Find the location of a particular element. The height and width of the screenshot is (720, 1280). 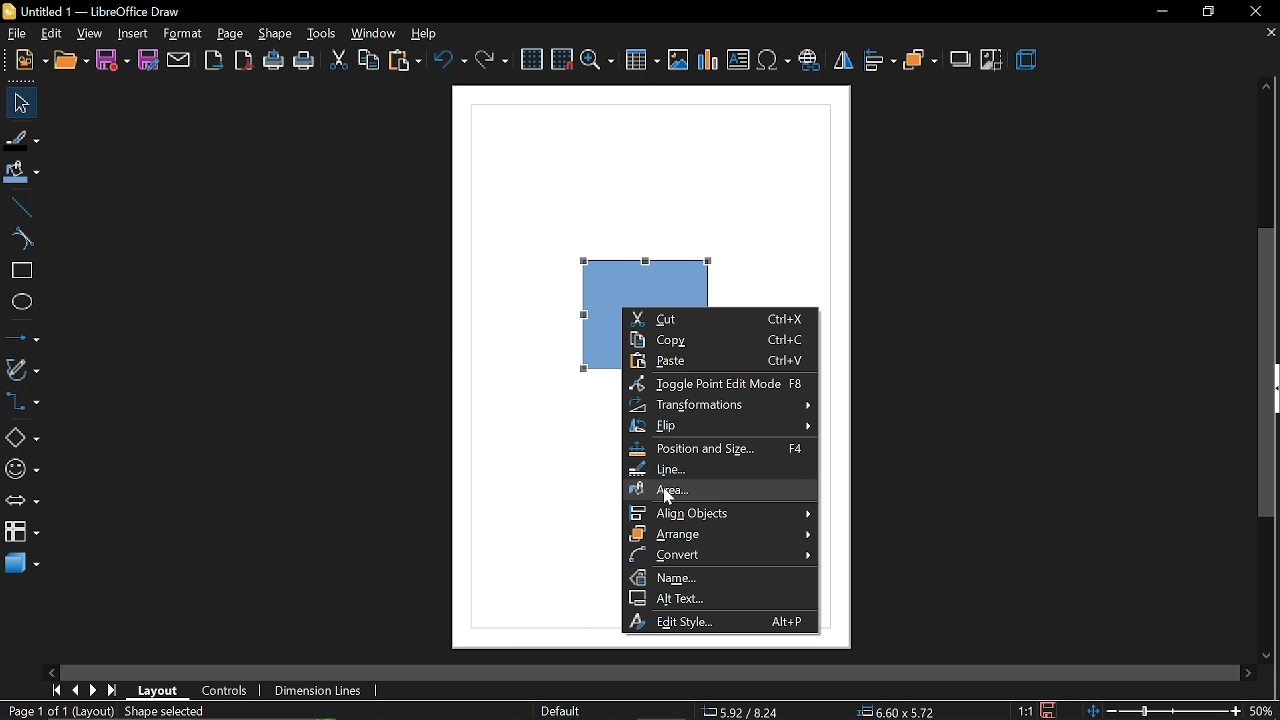

line is located at coordinates (721, 469).